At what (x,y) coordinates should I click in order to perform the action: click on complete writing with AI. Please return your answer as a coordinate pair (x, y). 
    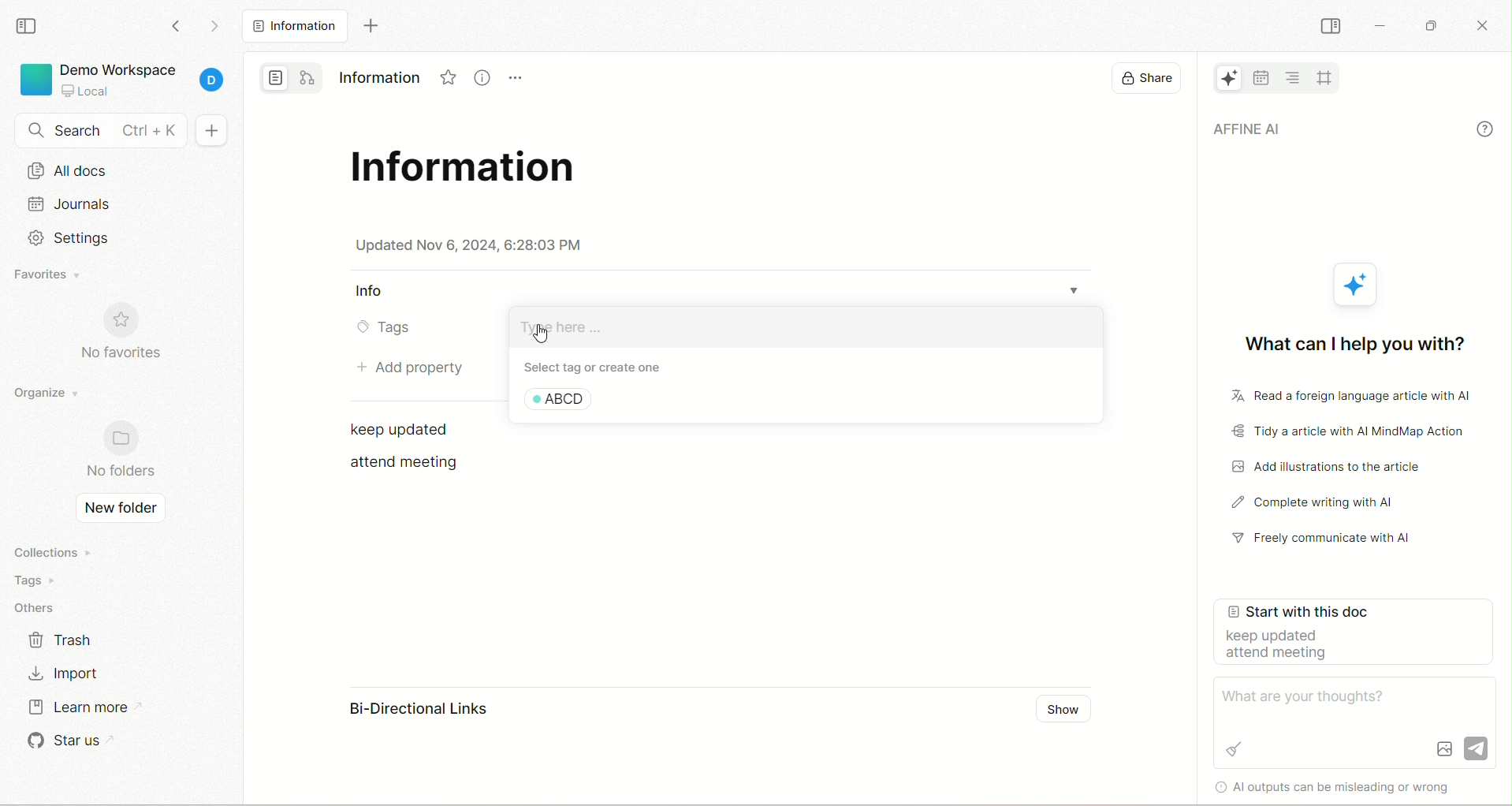
    Looking at the image, I should click on (1331, 505).